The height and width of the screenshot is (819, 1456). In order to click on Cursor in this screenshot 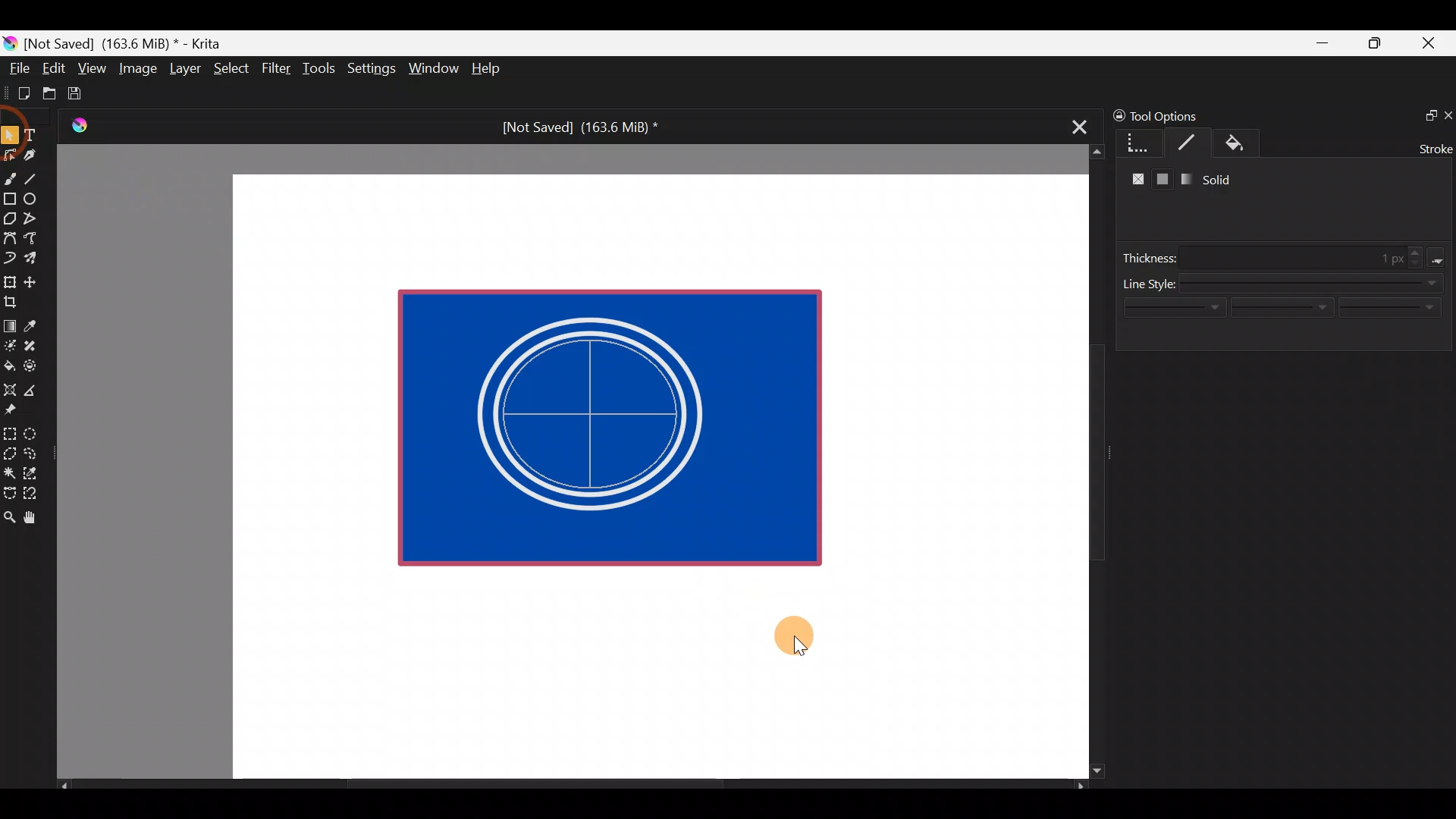, I will do `click(795, 642)`.